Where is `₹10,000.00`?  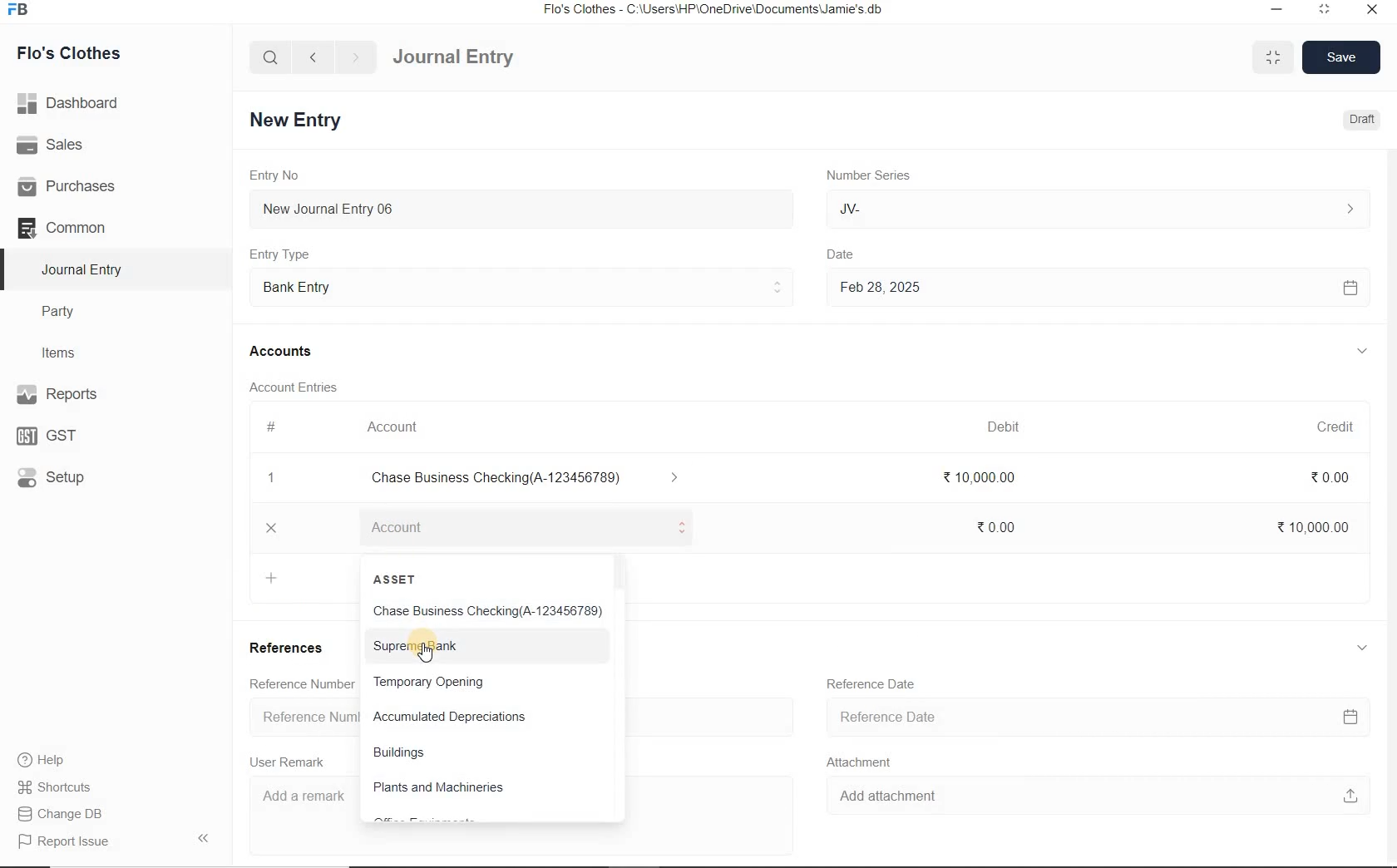
₹10,000.00 is located at coordinates (1308, 525).